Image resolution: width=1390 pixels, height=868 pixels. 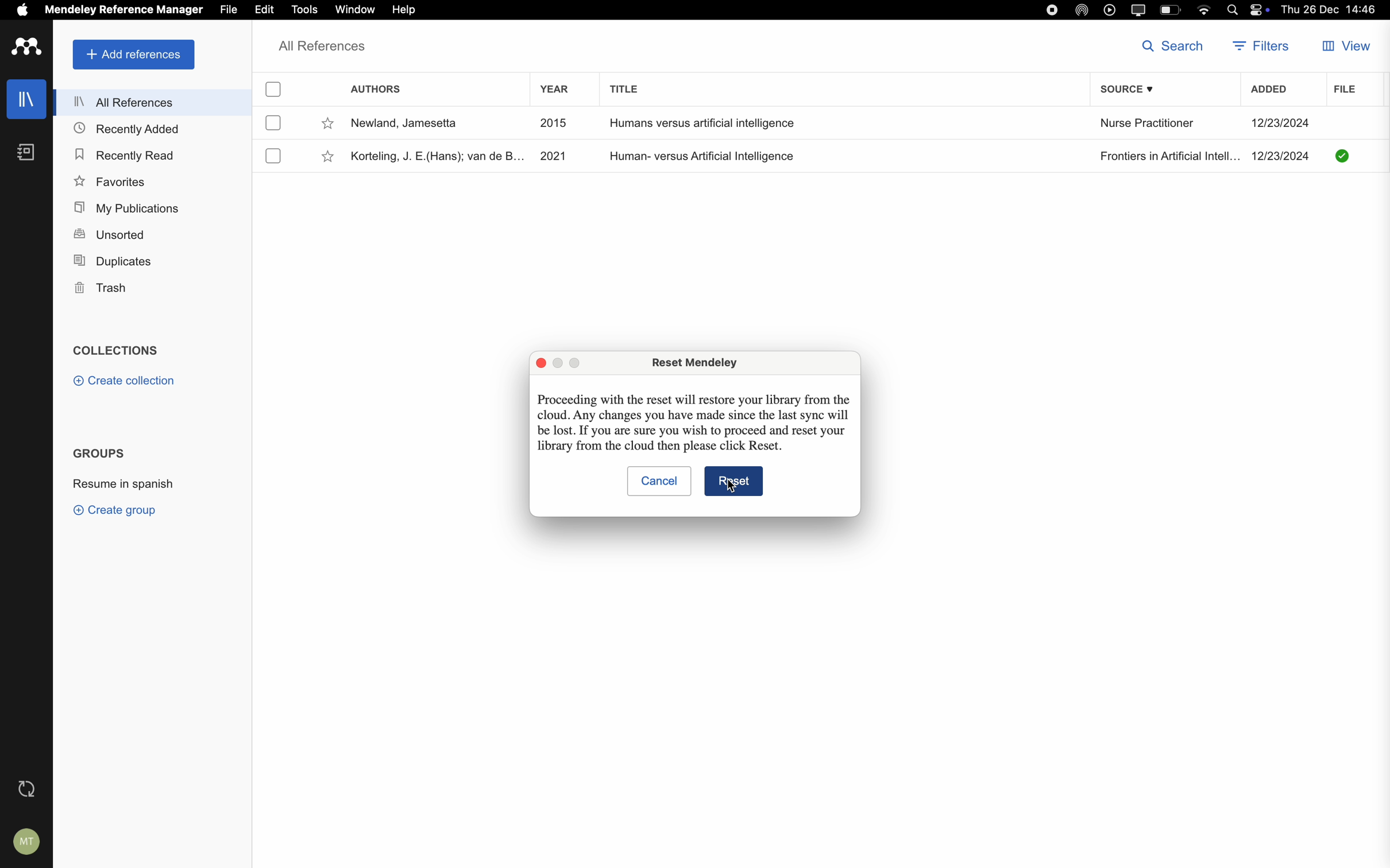 What do you see at coordinates (330, 123) in the screenshot?
I see `favorite` at bounding box center [330, 123].